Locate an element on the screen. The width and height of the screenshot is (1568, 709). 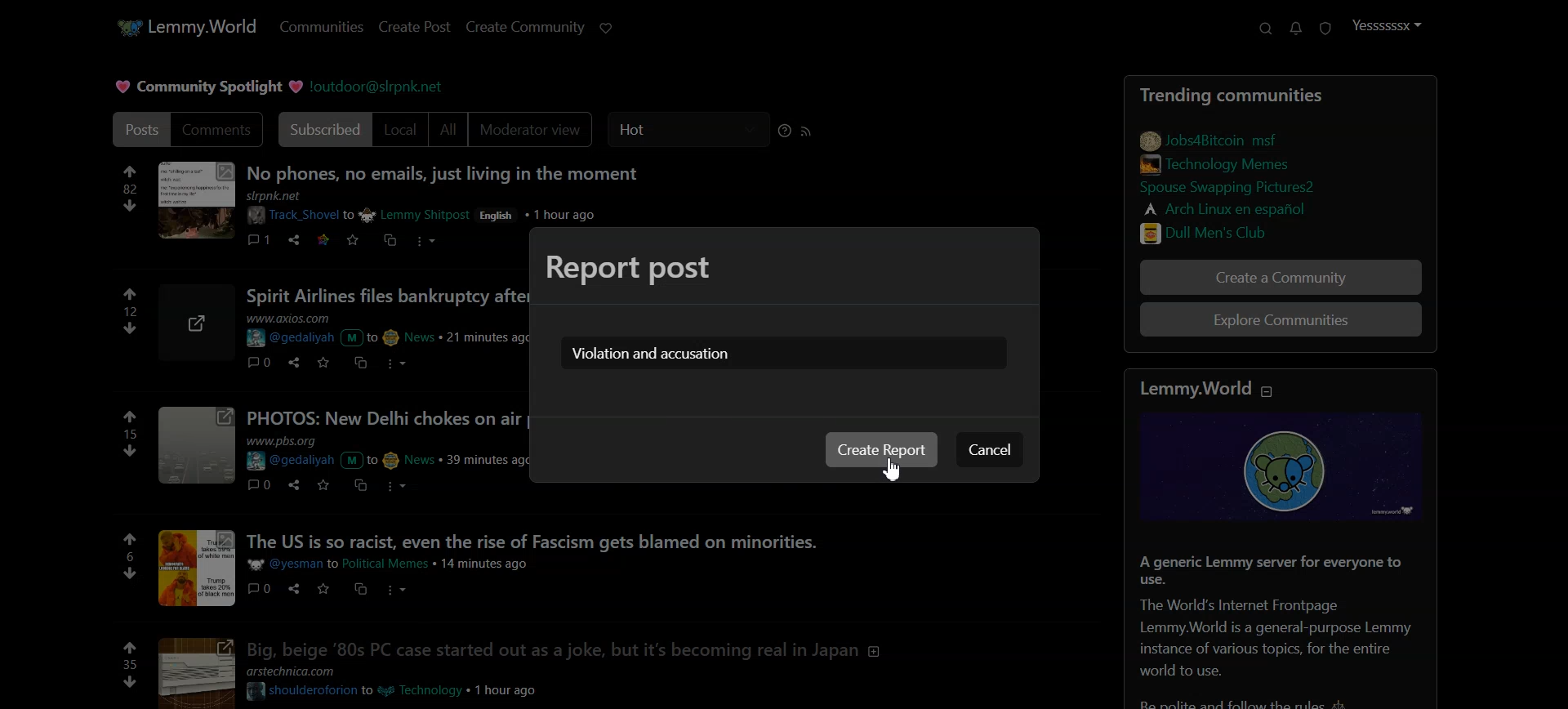
save is located at coordinates (323, 589).